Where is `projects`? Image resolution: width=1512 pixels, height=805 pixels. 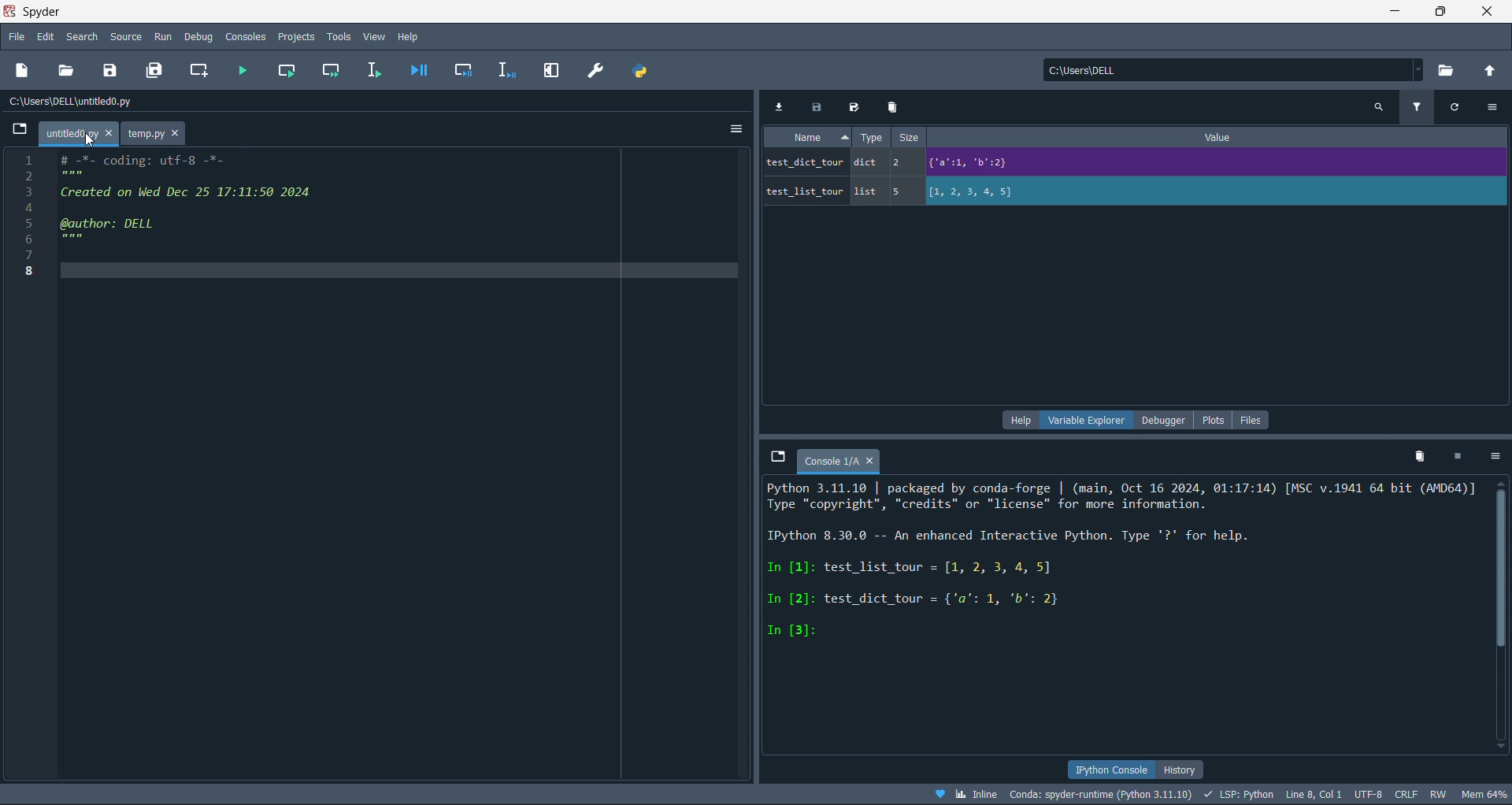
projects is located at coordinates (296, 36).